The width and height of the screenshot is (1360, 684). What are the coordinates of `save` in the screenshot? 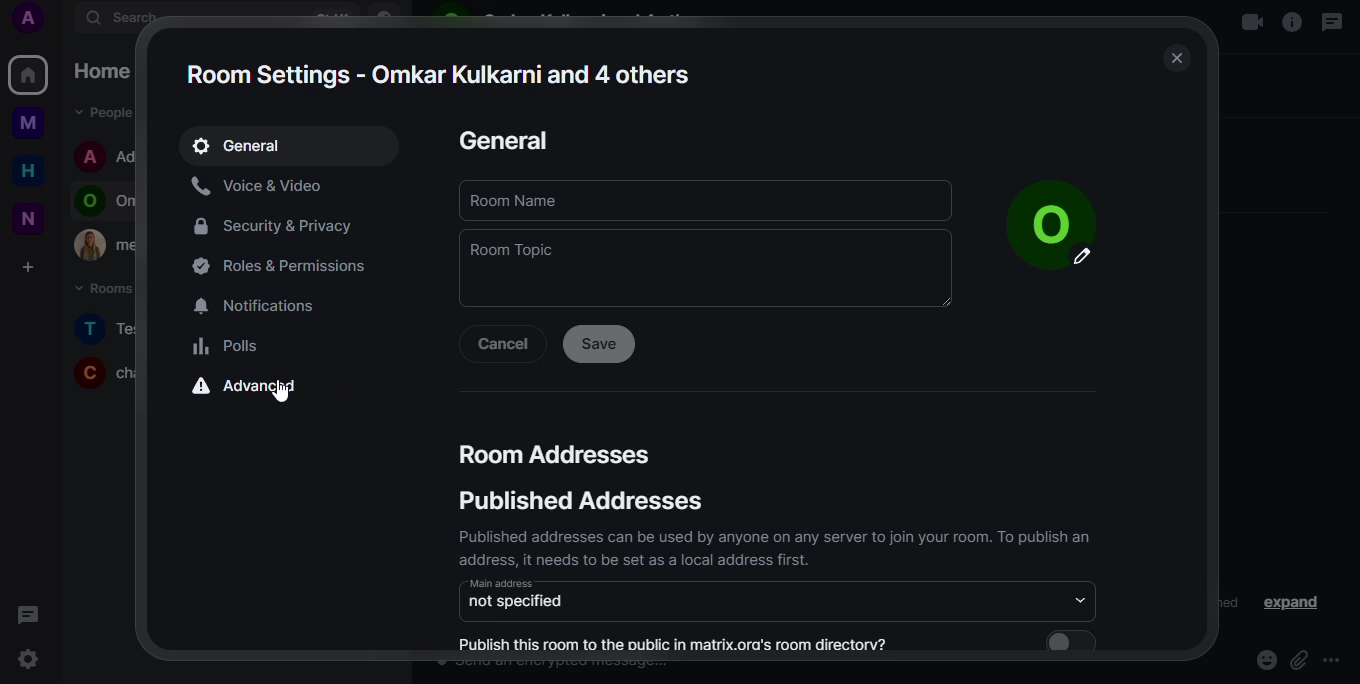 It's located at (600, 343).